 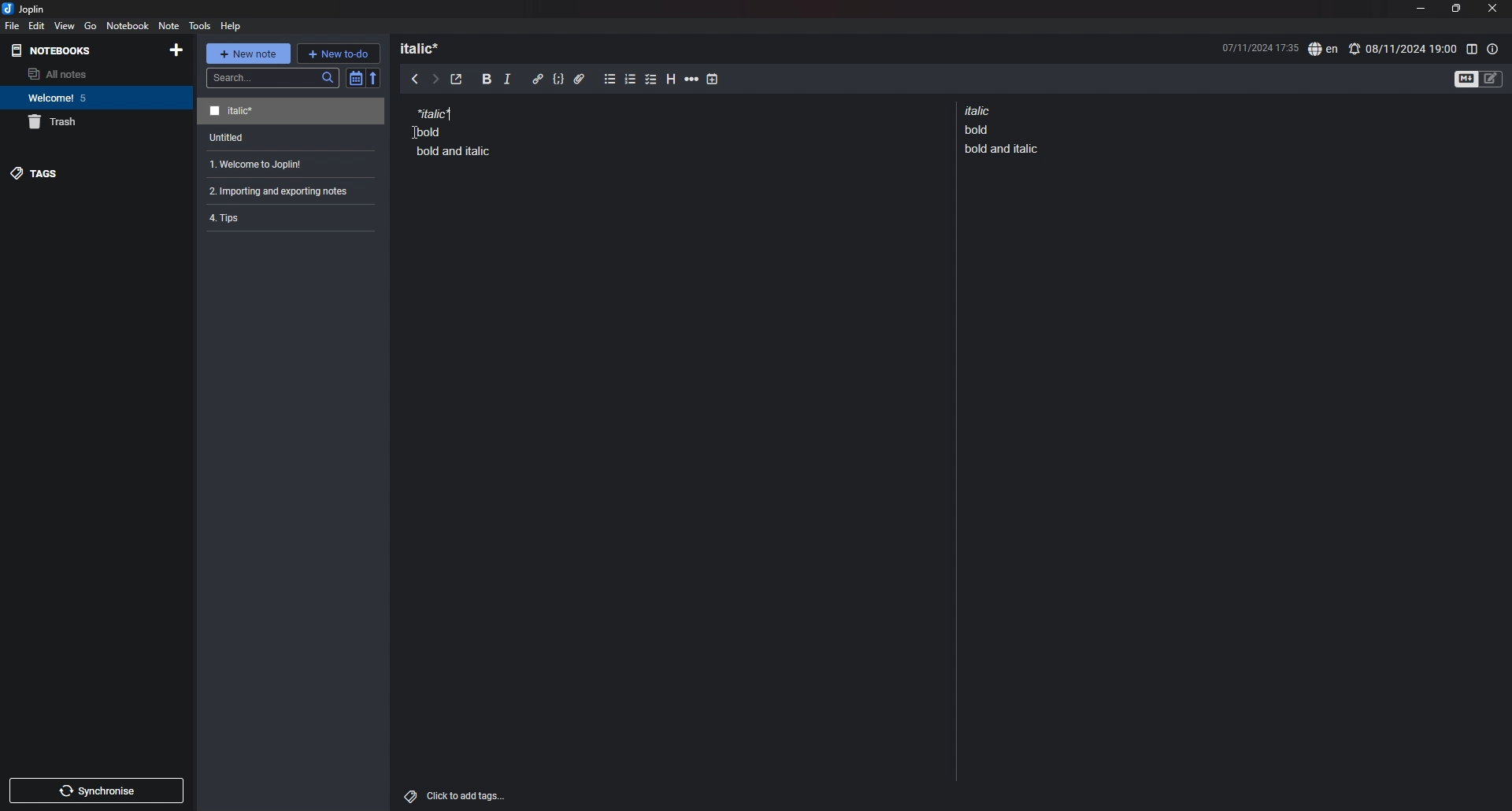 I want to click on spell check, so click(x=1323, y=50).